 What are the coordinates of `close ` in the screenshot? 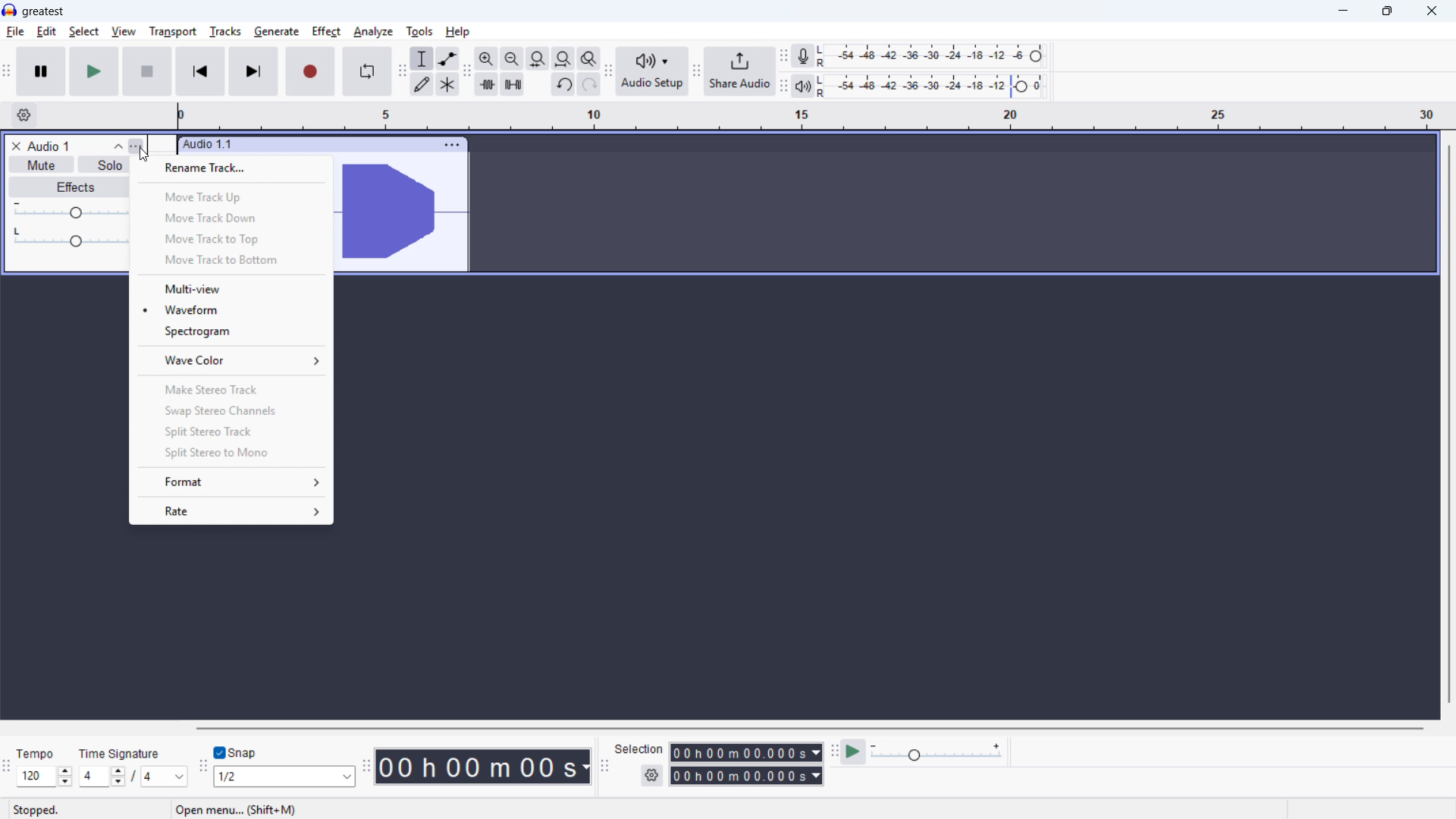 It's located at (1431, 11).